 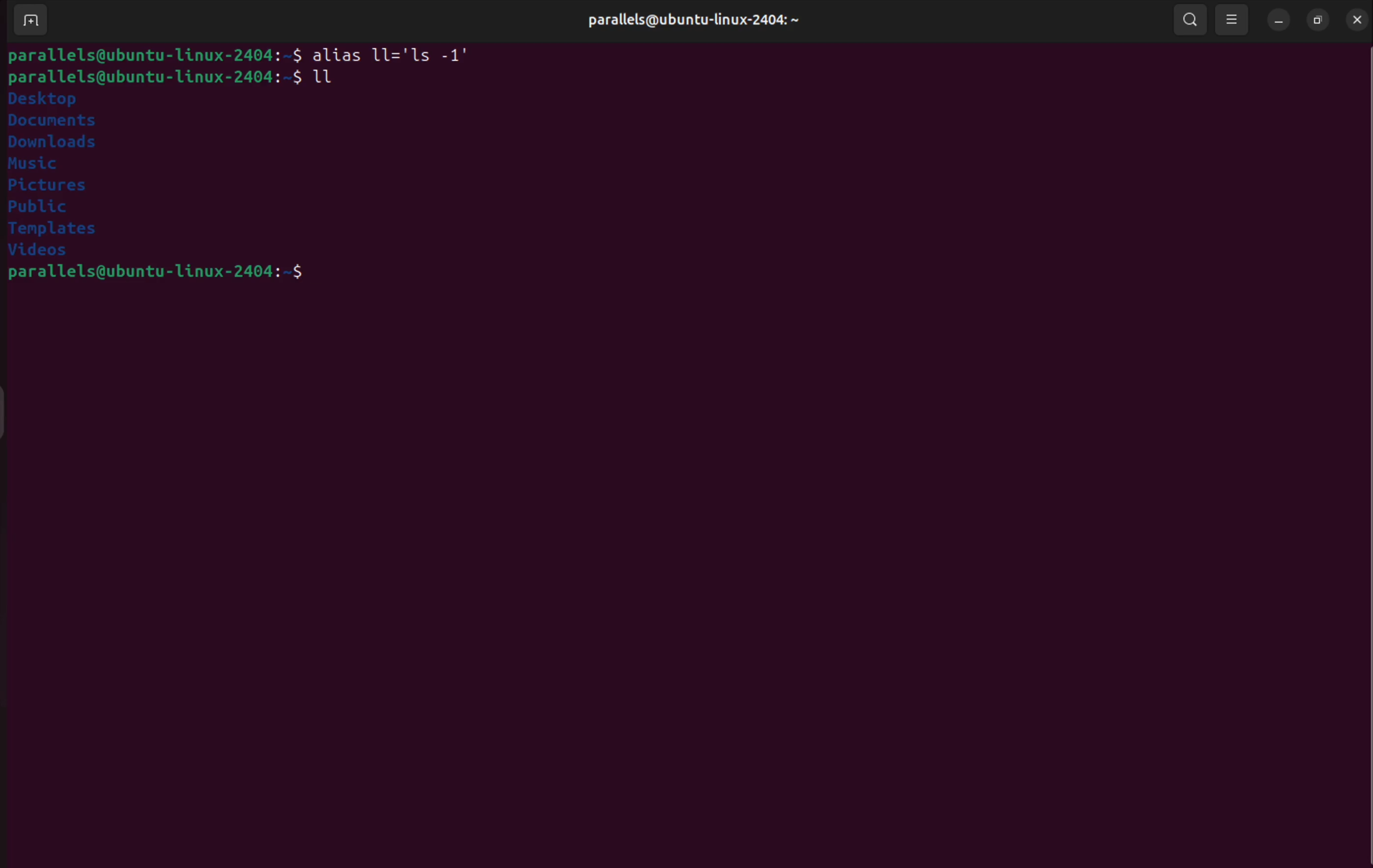 I want to click on add terminal, so click(x=30, y=22).